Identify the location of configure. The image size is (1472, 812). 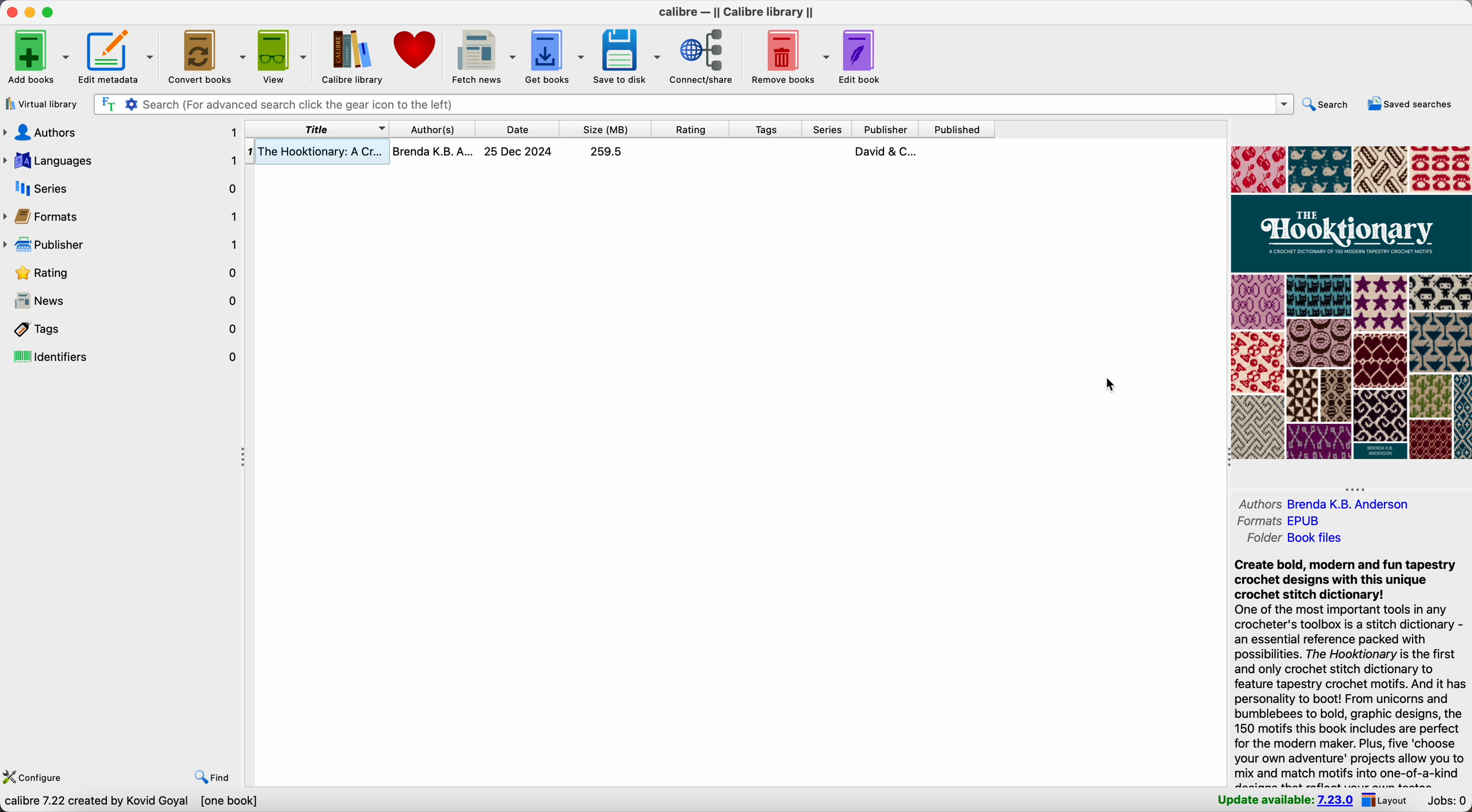
(38, 778).